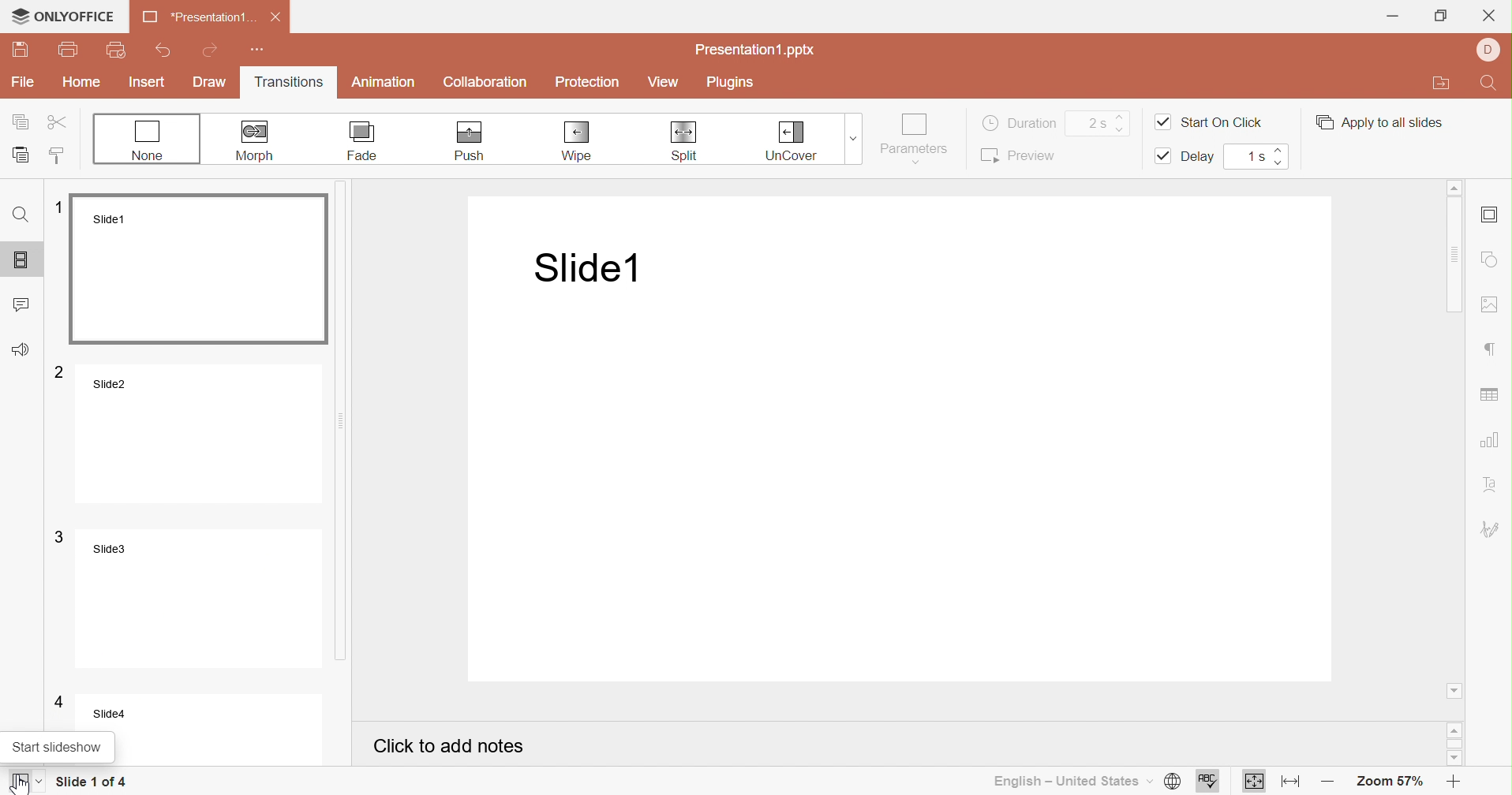 This screenshot has height=795, width=1512. What do you see at coordinates (1489, 215) in the screenshot?
I see `Slide settings` at bounding box center [1489, 215].